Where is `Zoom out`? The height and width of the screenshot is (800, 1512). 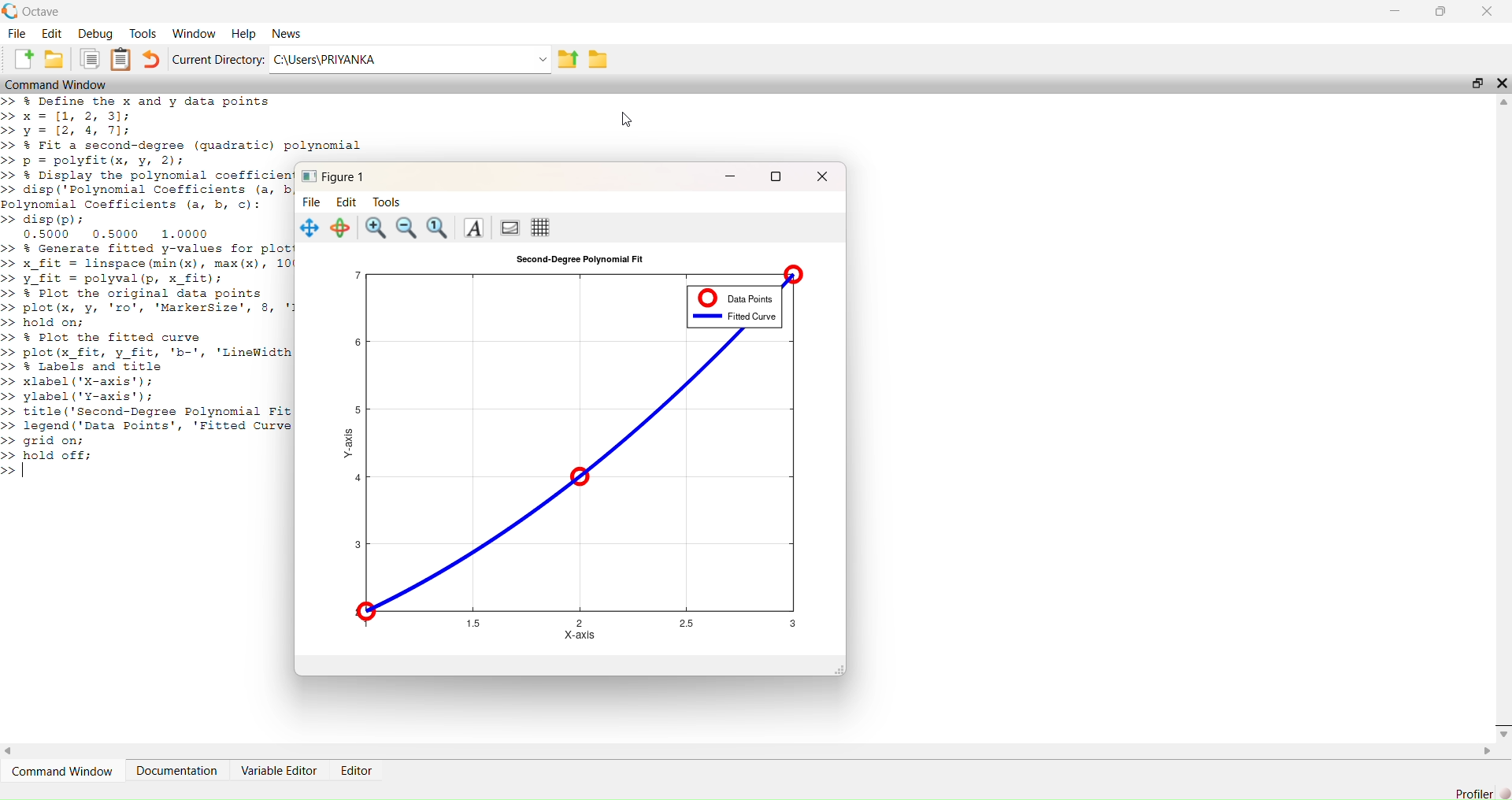
Zoom out is located at coordinates (408, 228).